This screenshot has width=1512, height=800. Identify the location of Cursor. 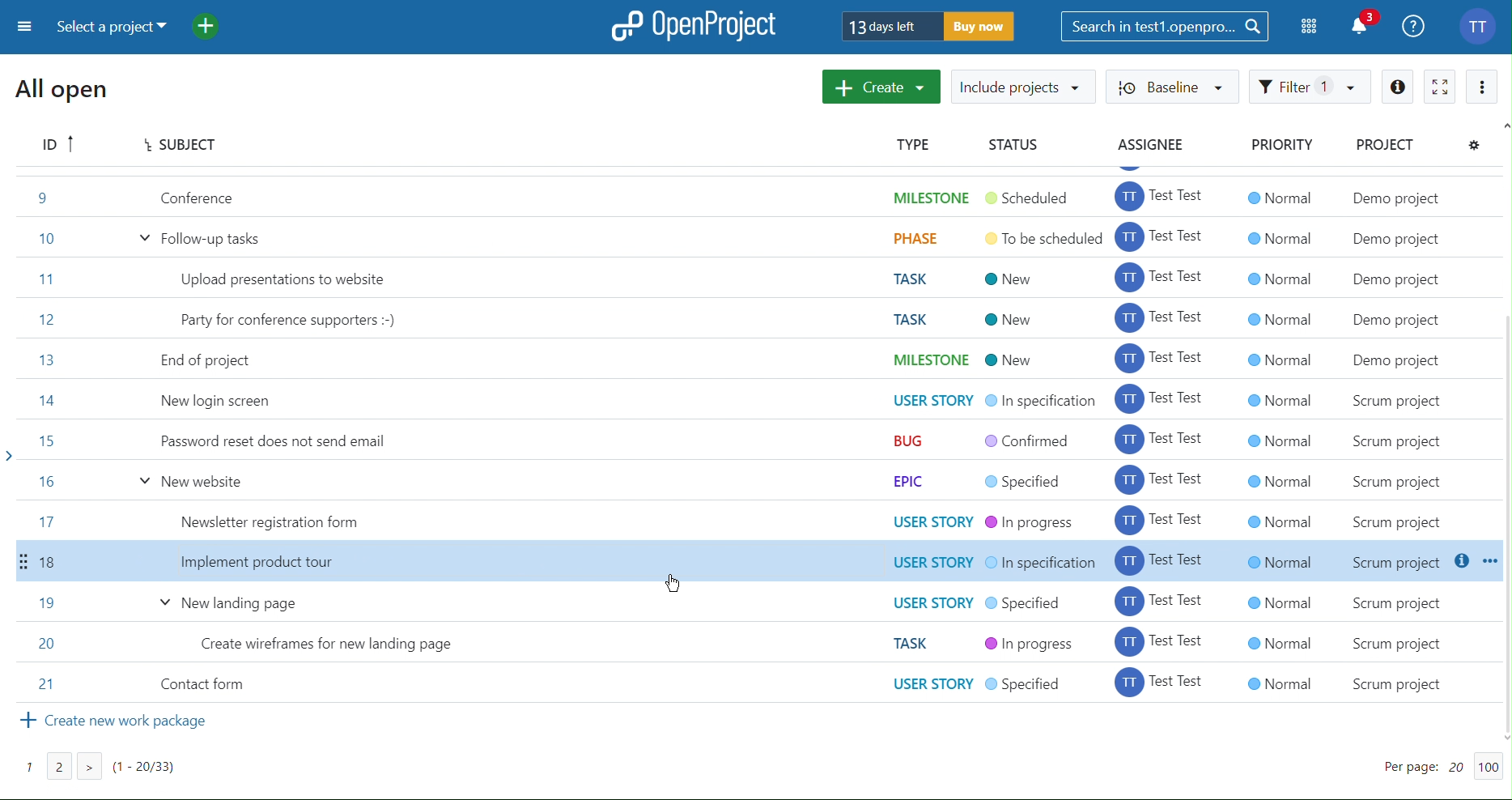
(672, 585).